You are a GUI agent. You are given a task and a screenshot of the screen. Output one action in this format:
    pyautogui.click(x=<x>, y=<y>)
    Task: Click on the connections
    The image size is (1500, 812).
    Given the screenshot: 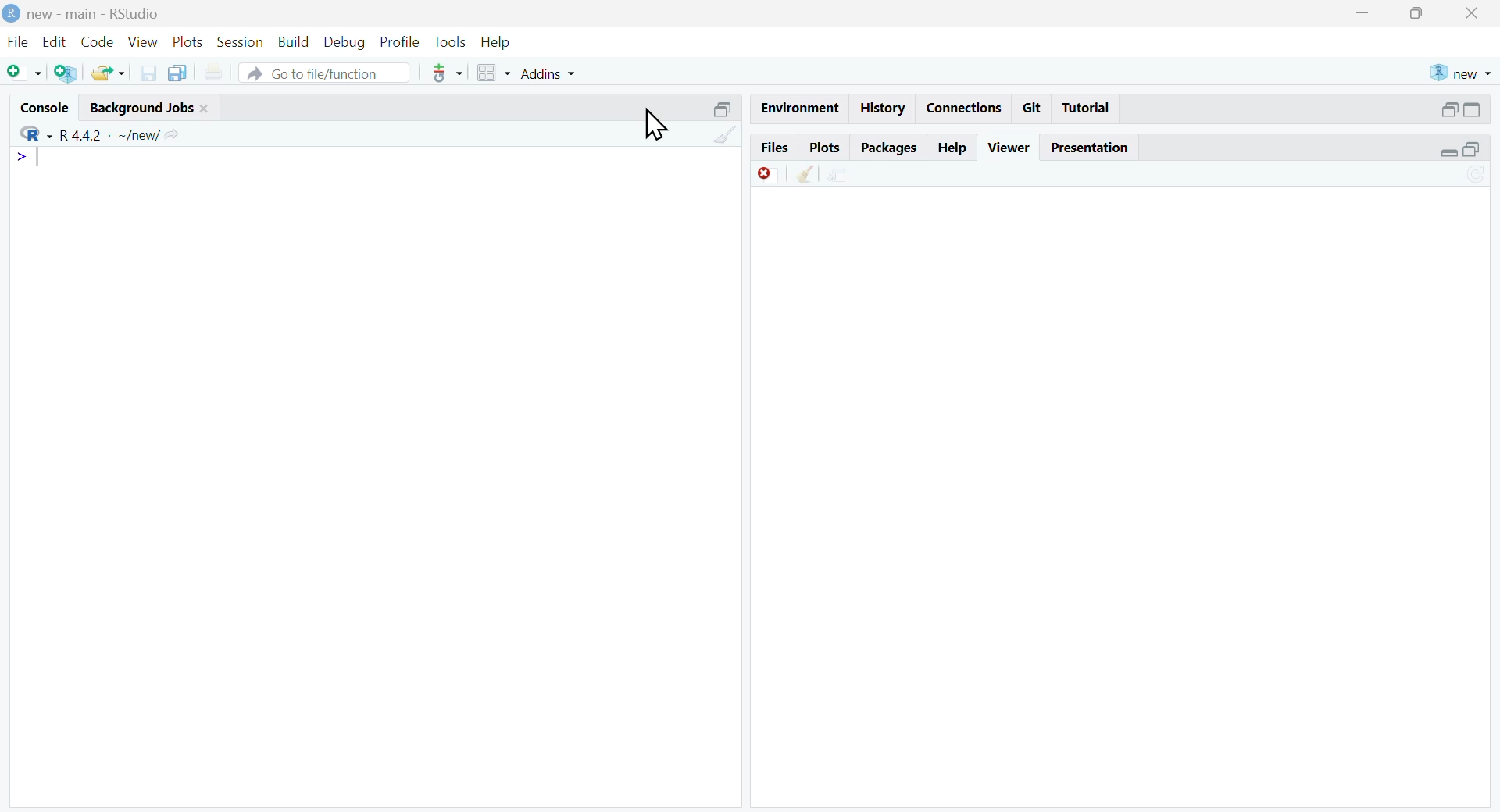 What is the action you would take?
    pyautogui.click(x=961, y=108)
    